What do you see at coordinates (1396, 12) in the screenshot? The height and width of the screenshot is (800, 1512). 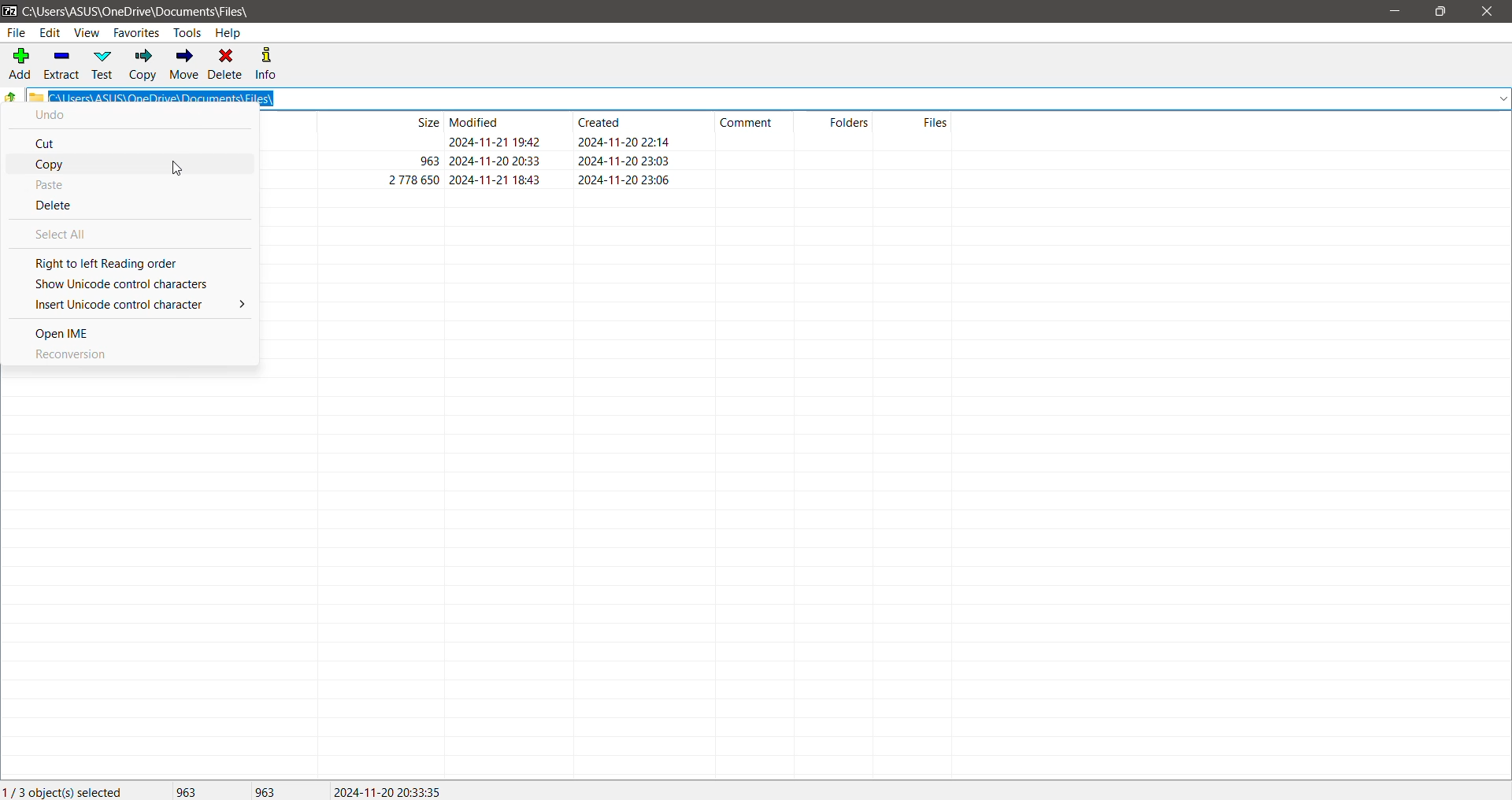 I see `Minimize` at bounding box center [1396, 12].